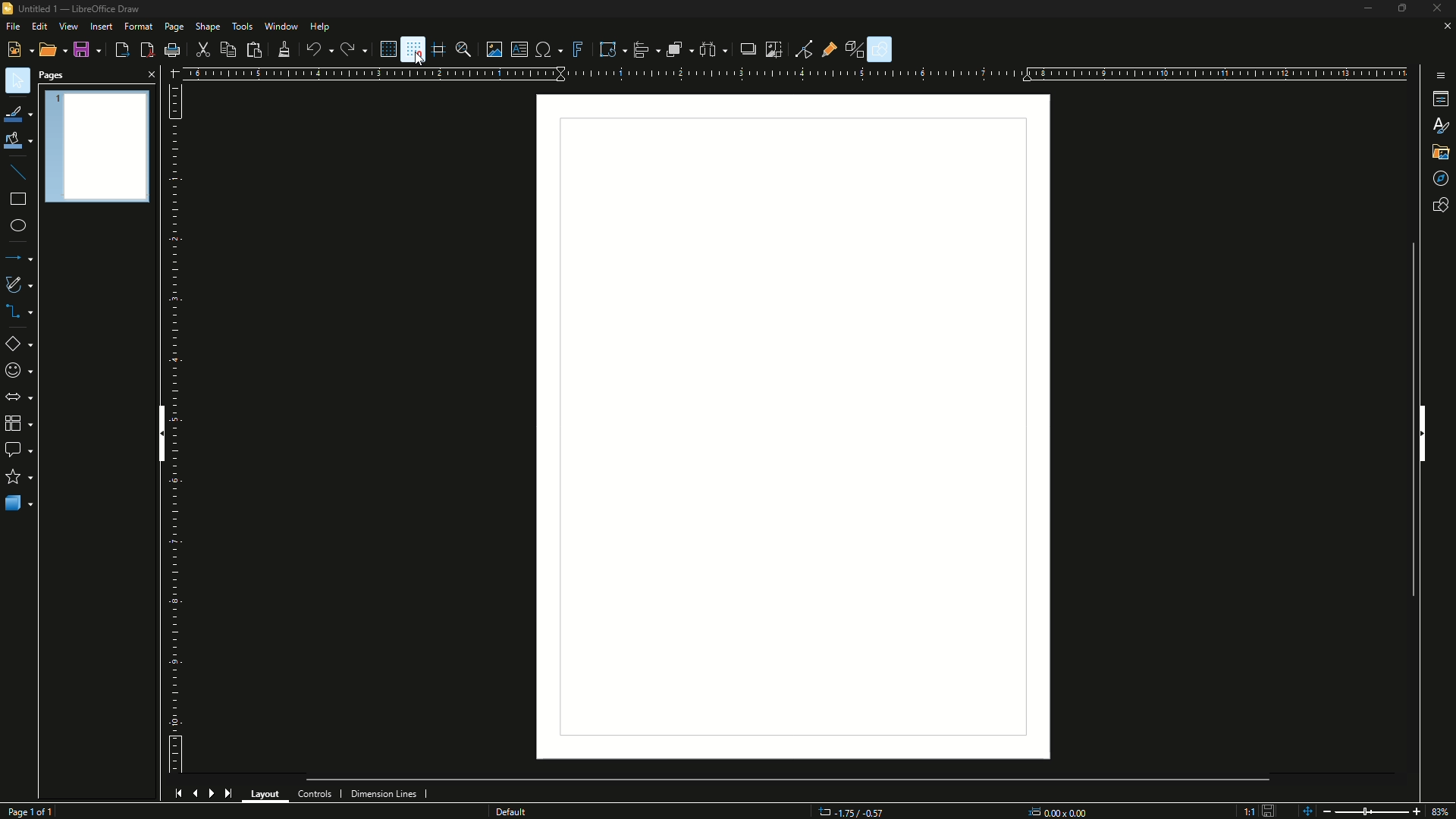 The height and width of the screenshot is (819, 1456). Describe the element at coordinates (1442, 810) in the screenshot. I see `87%` at that location.